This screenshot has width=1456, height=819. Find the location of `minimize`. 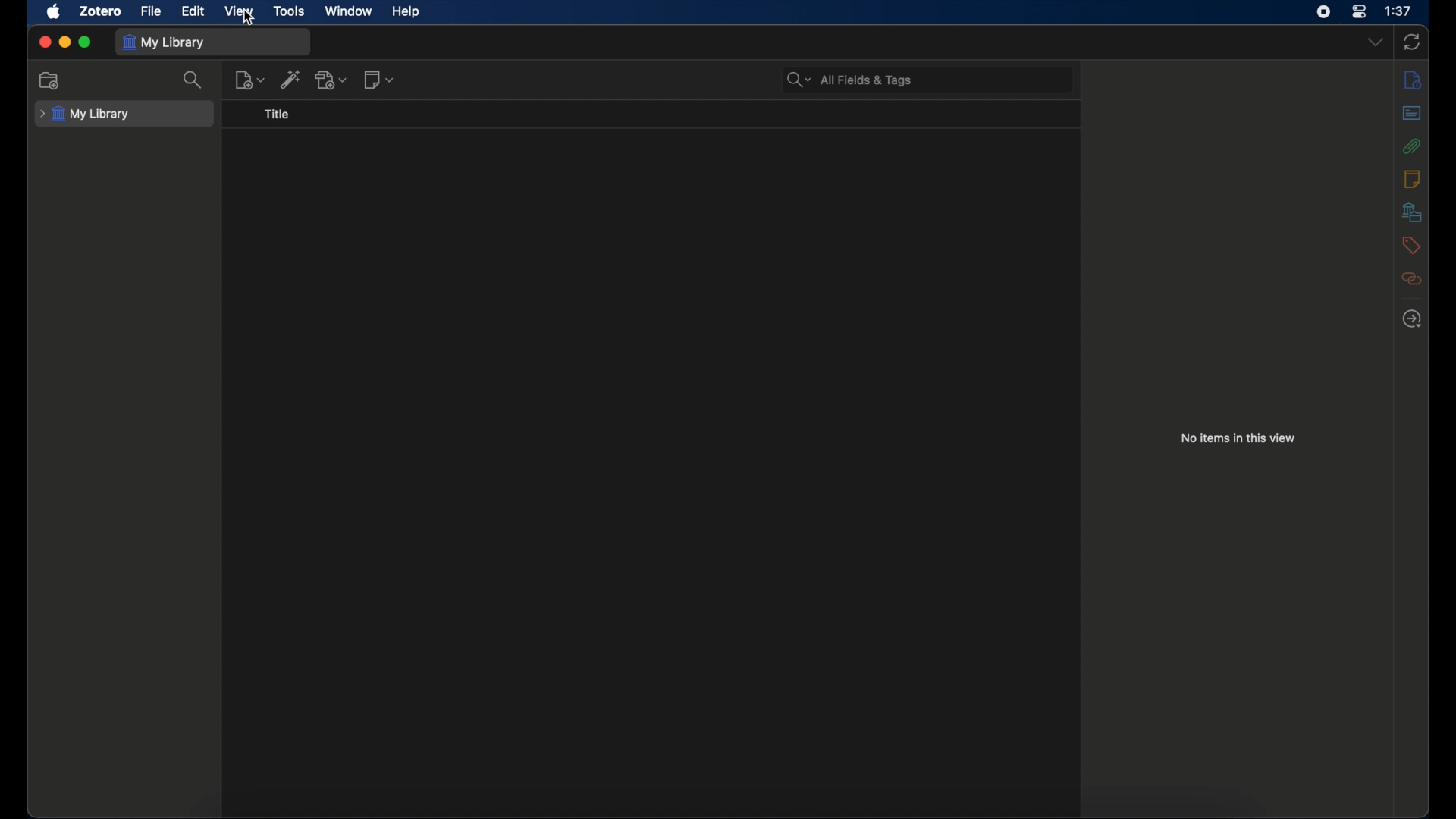

minimize is located at coordinates (64, 41).